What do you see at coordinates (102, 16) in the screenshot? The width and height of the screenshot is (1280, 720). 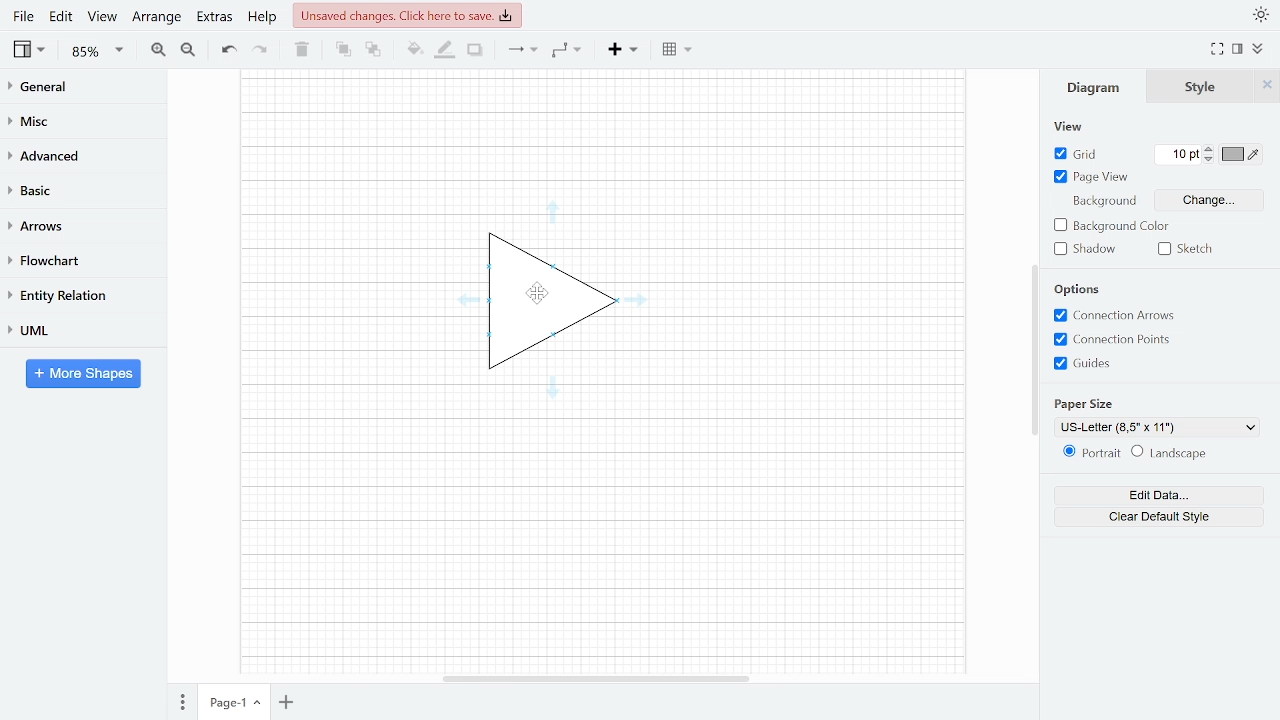 I see `View` at bounding box center [102, 16].